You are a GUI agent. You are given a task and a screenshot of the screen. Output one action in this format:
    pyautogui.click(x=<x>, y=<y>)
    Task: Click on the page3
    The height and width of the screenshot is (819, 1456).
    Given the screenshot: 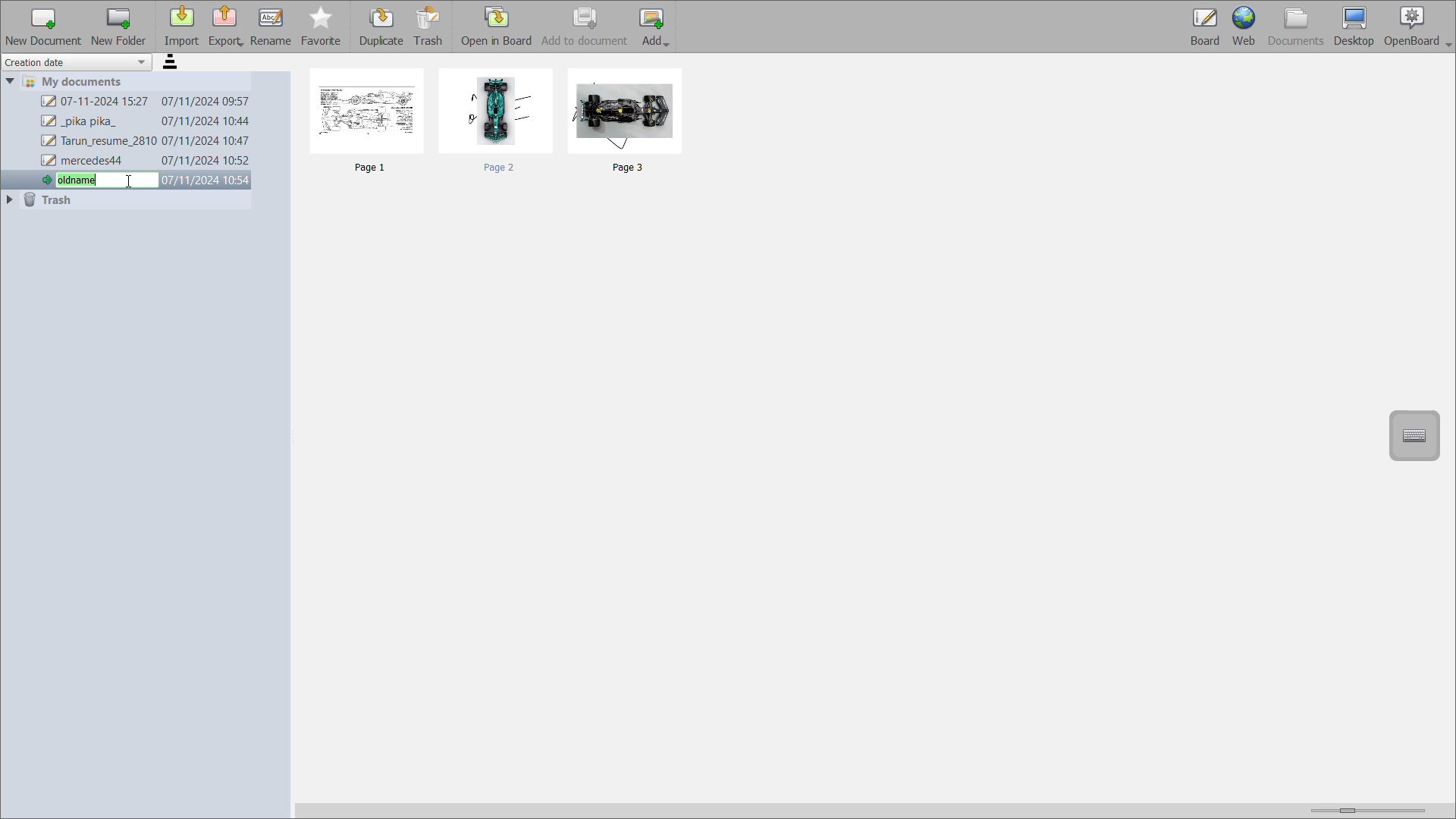 What is the action you would take?
    pyautogui.click(x=628, y=123)
    